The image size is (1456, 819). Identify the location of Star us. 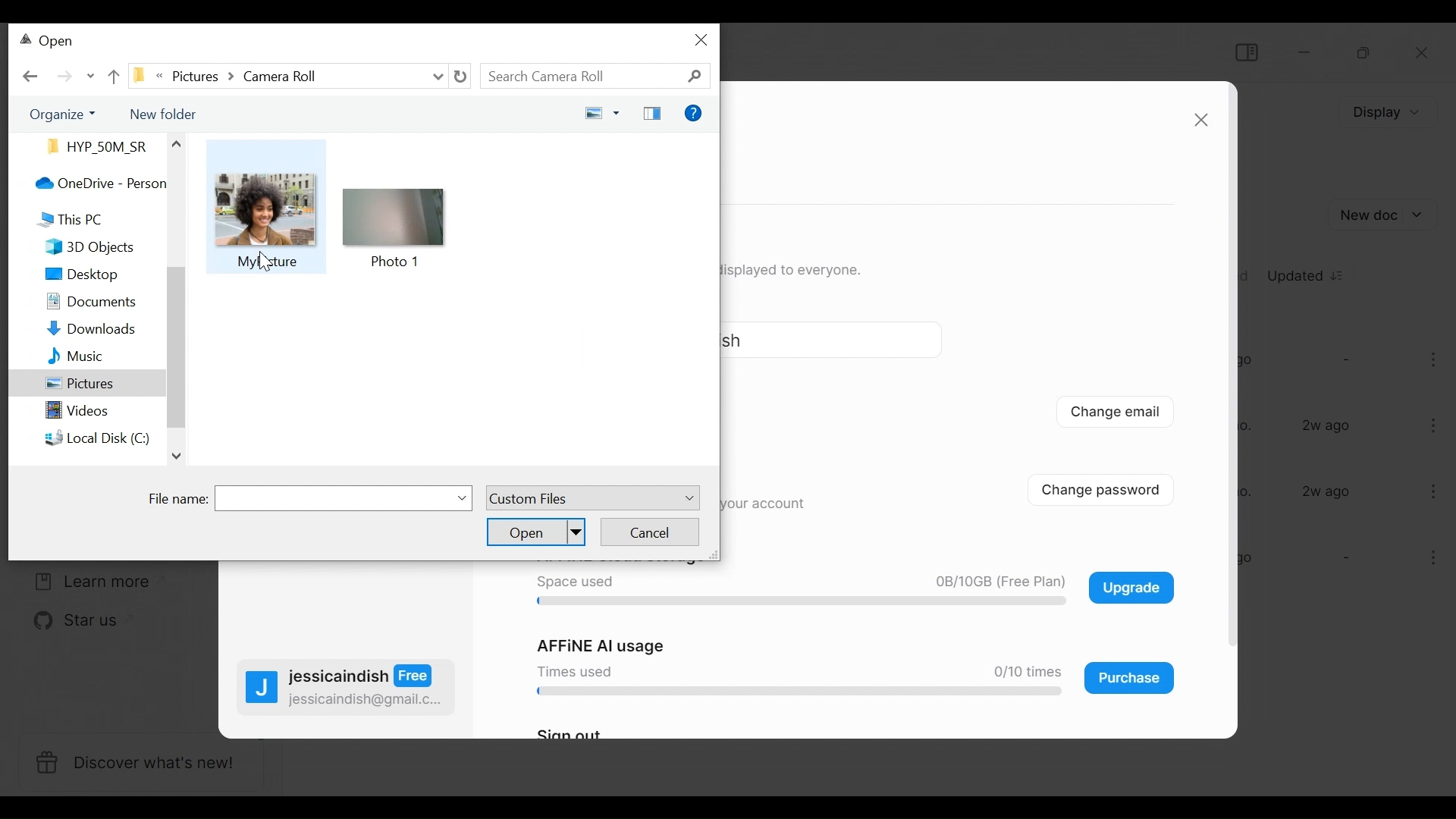
(67, 622).